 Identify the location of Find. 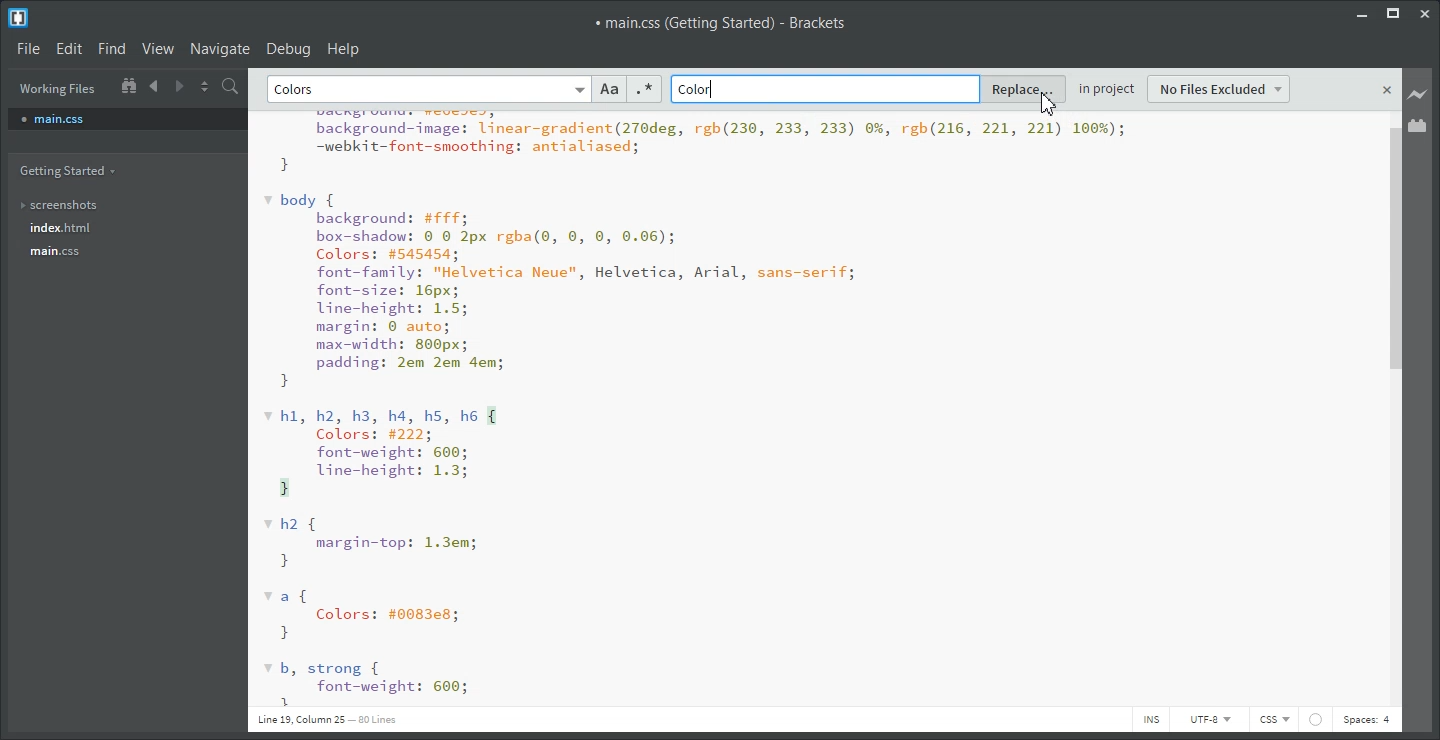
(111, 49).